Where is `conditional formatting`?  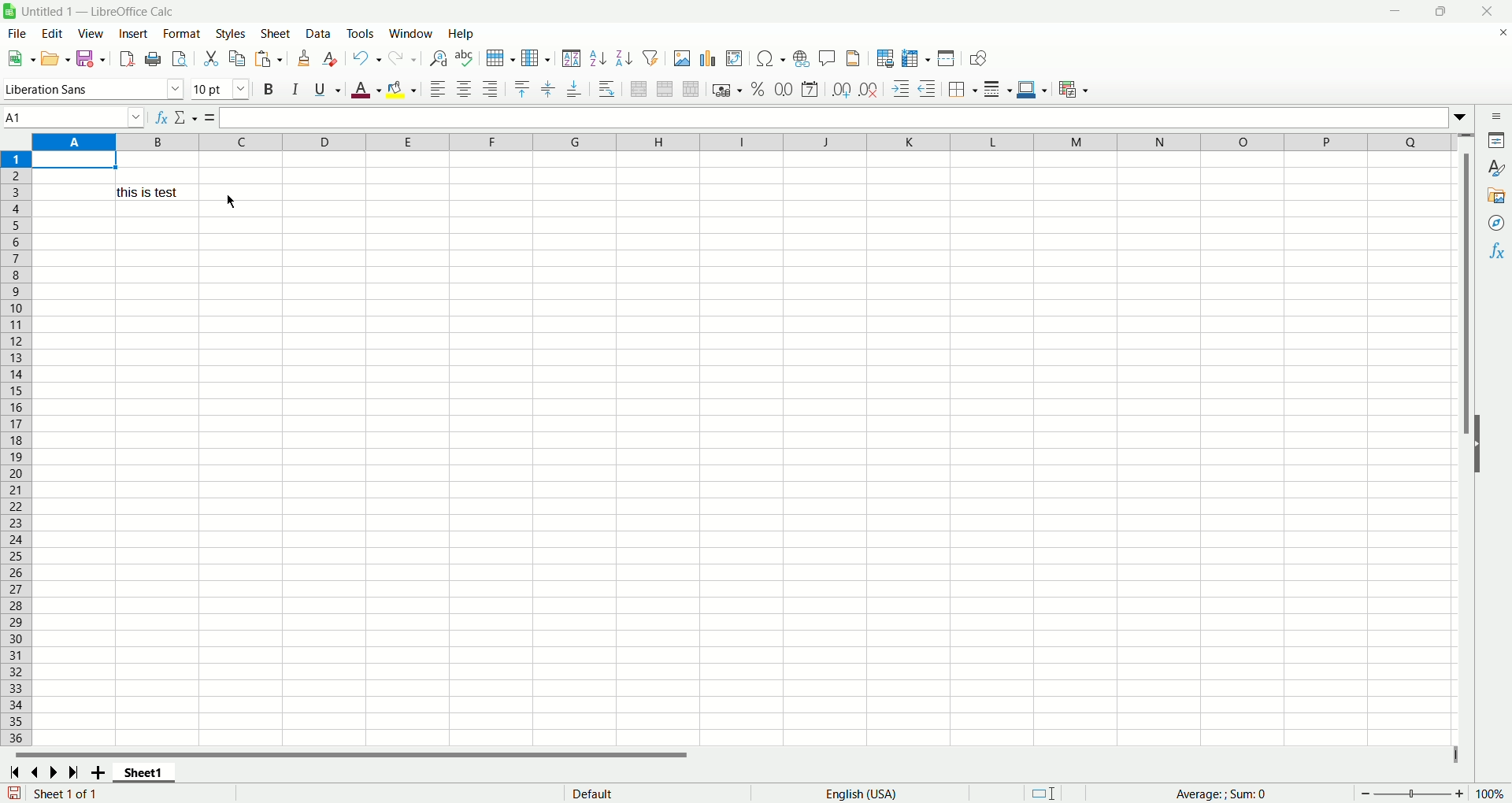
conditional formatting is located at coordinates (1077, 91).